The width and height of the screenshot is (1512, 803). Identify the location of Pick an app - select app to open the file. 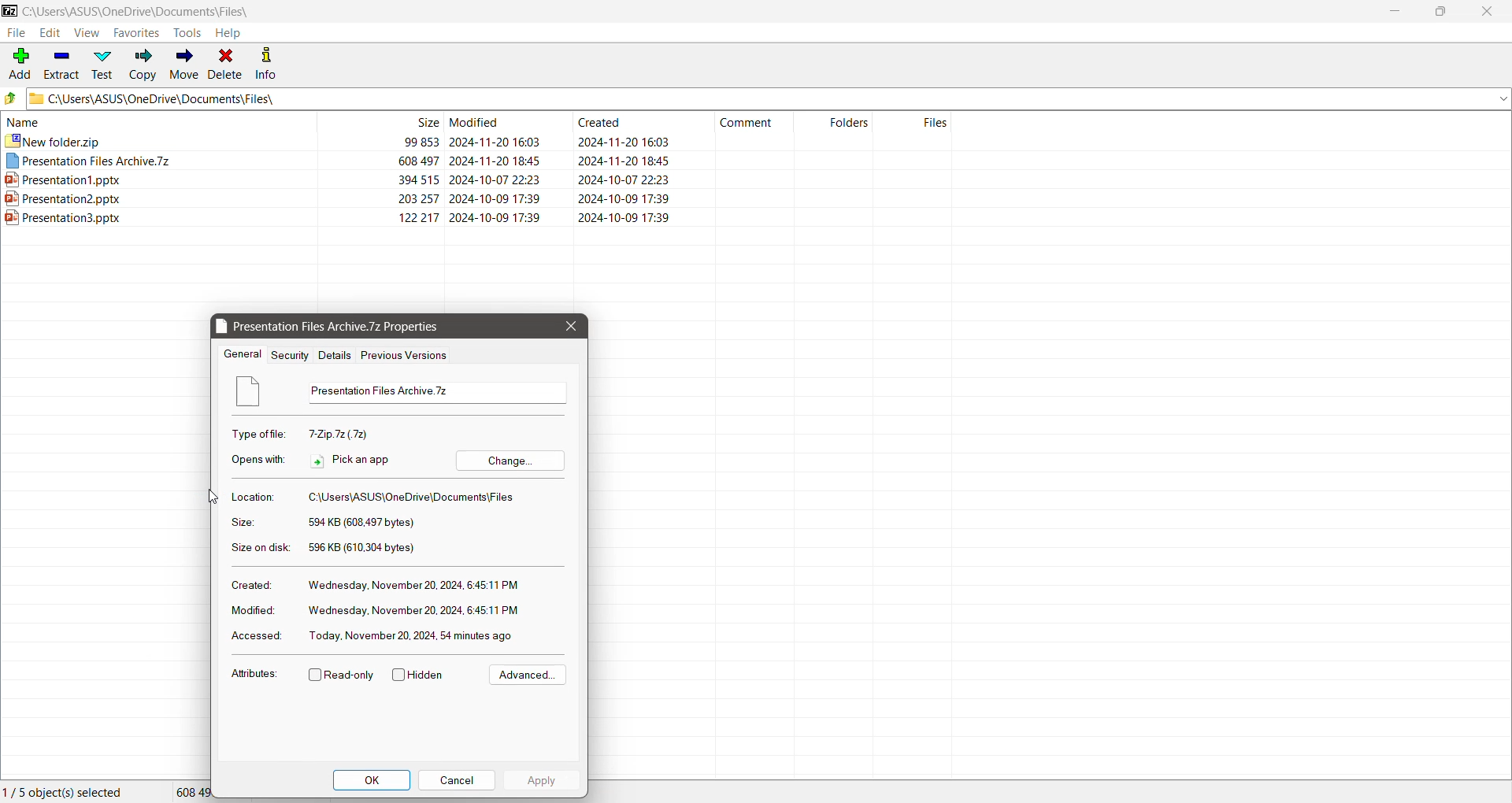
(352, 460).